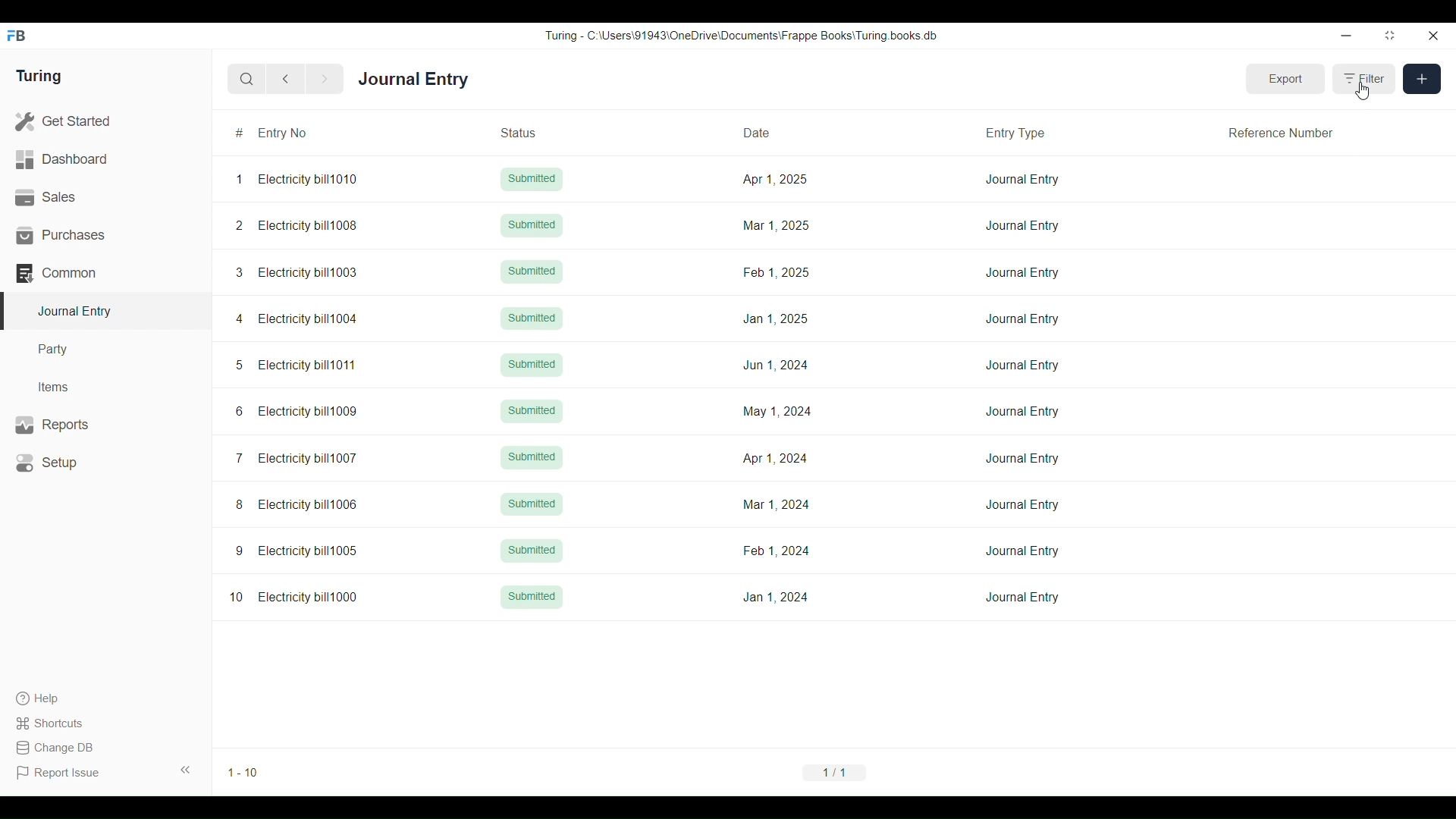 The image size is (1456, 819). Describe the element at coordinates (536, 132) in the screenshot. I see `Status` at that location.